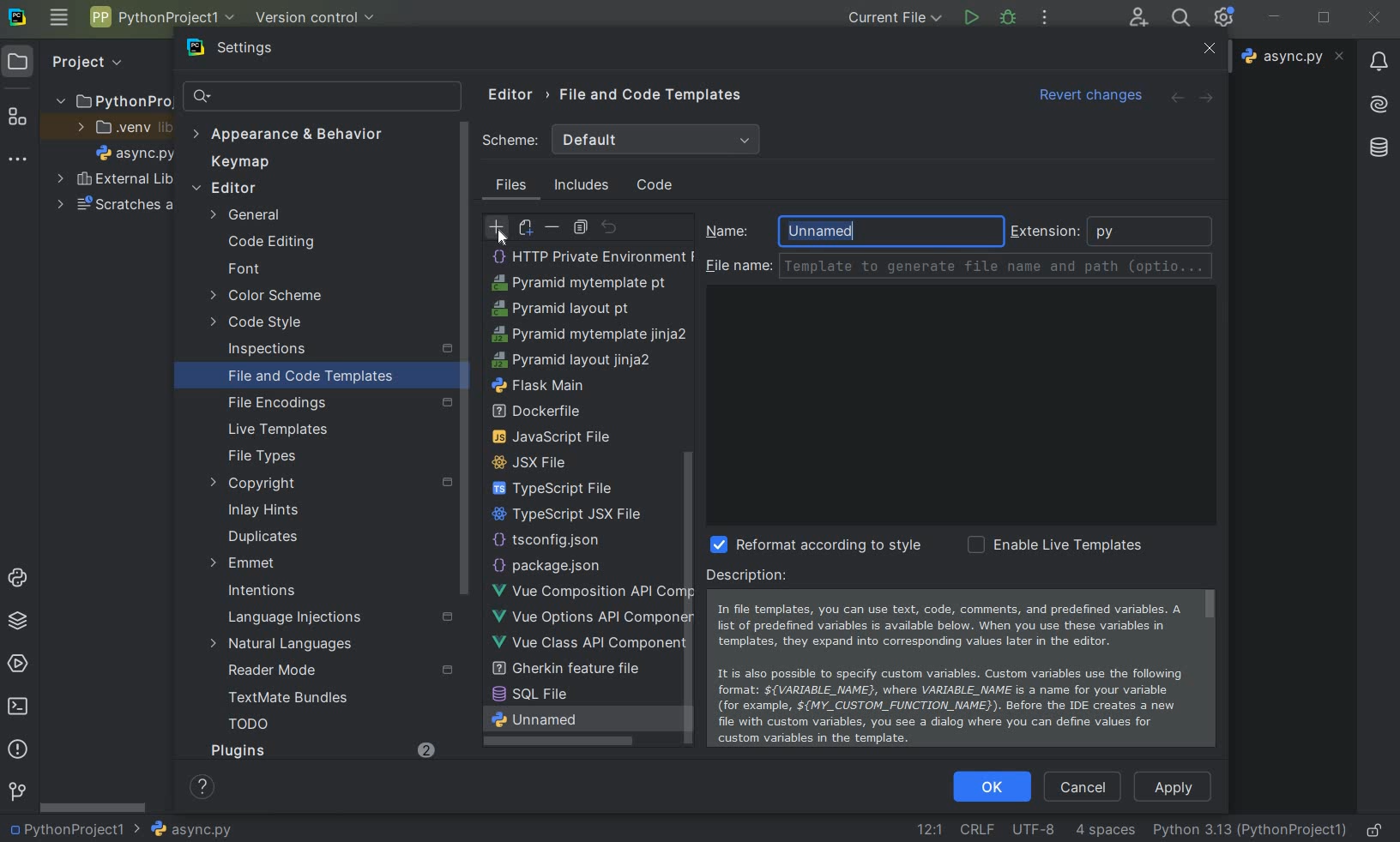 This screenshot has width=1400, height=842. What do you see at coordinates (619, 140) in the screenshot?
I see `scheme` at bounding box center [619, 140].